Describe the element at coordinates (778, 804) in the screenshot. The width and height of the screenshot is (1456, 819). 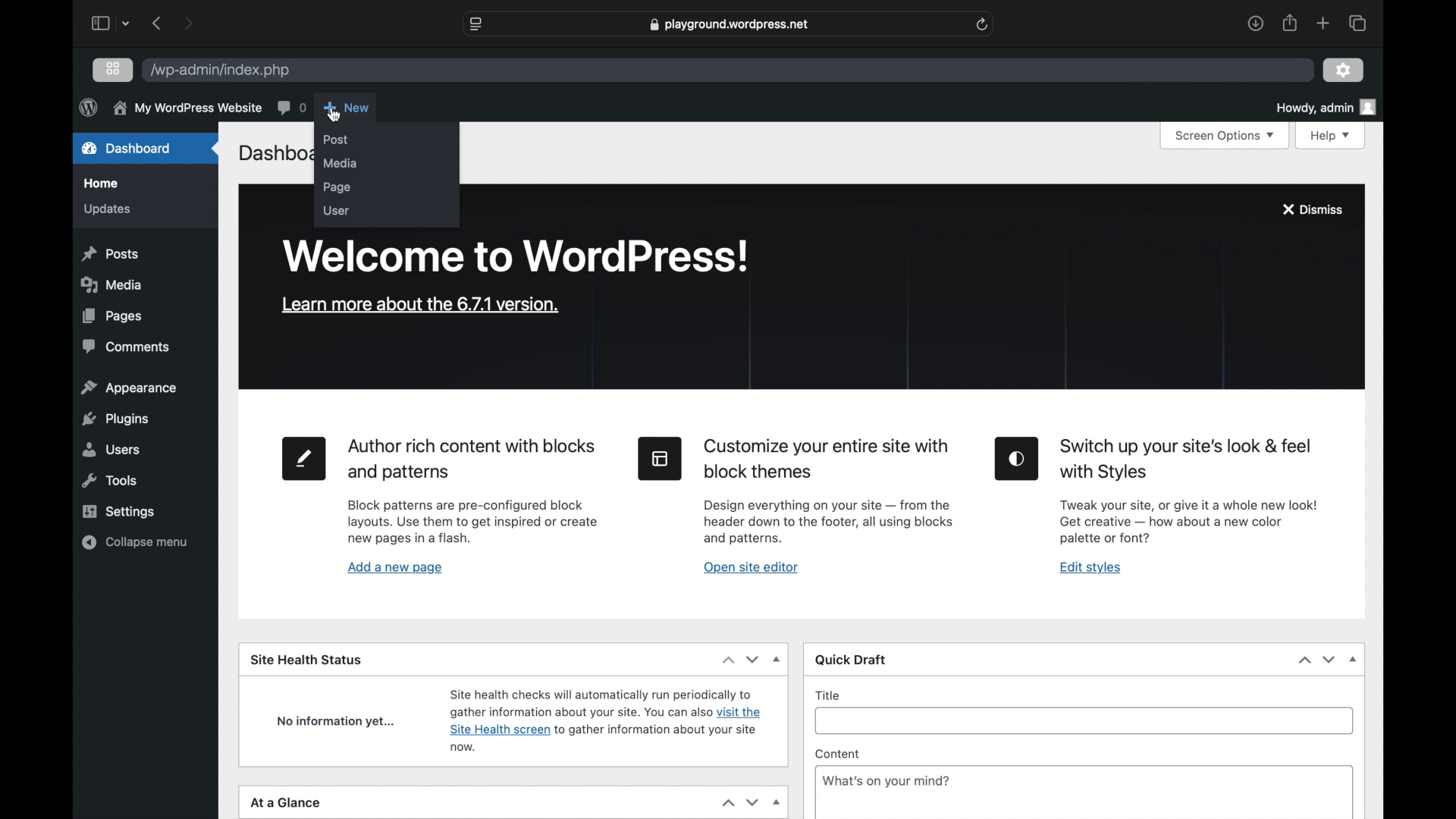
I see `dropdown` at that location.